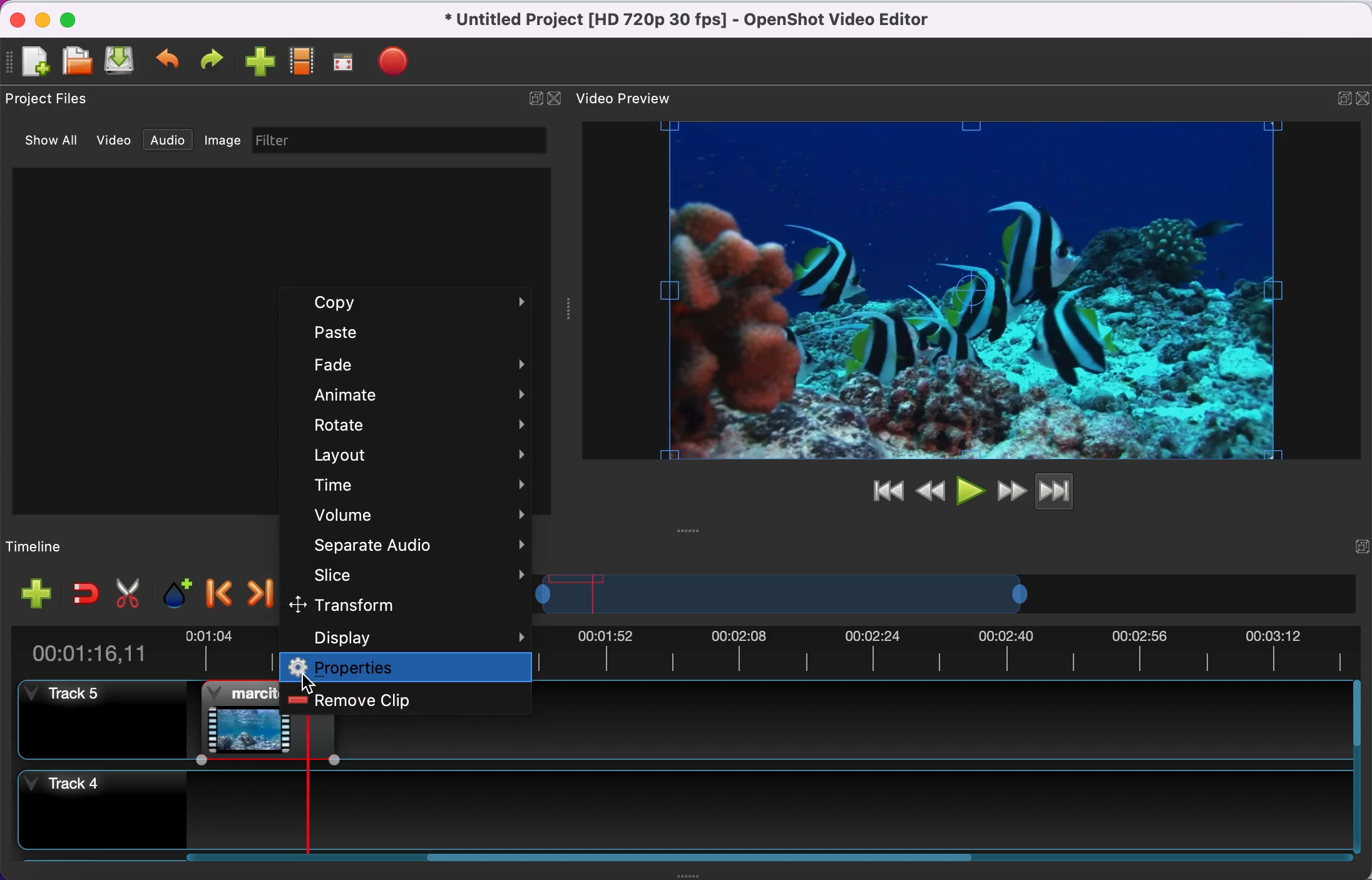 This screenshot has height=880, width=1372. What do you see at coordinates (703, 862) in the screenshot?
I see `scroll bar` at bounding box center [703, 862].